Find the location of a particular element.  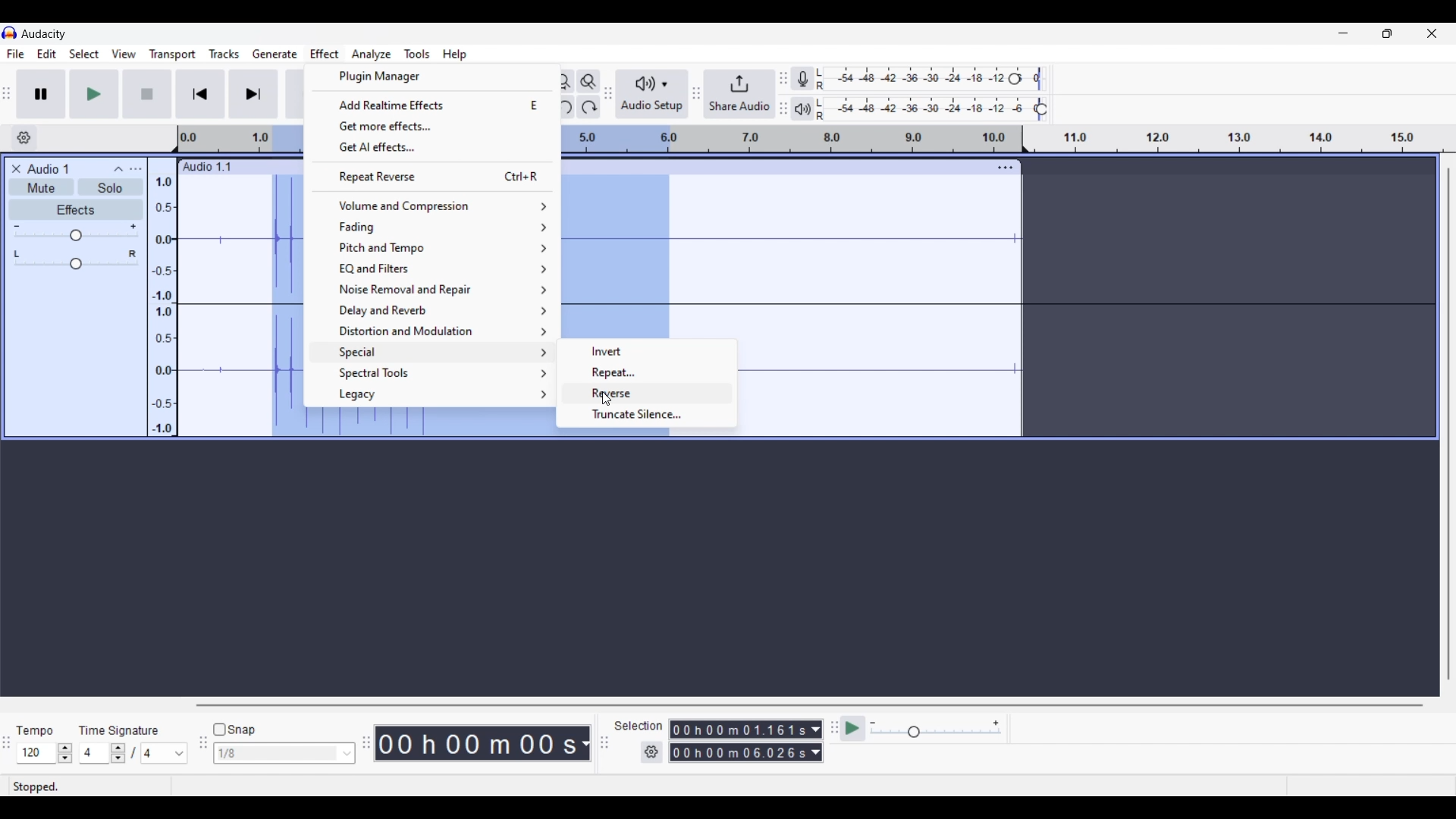

Noise removal and repair options is located at coordinates (432, 289).